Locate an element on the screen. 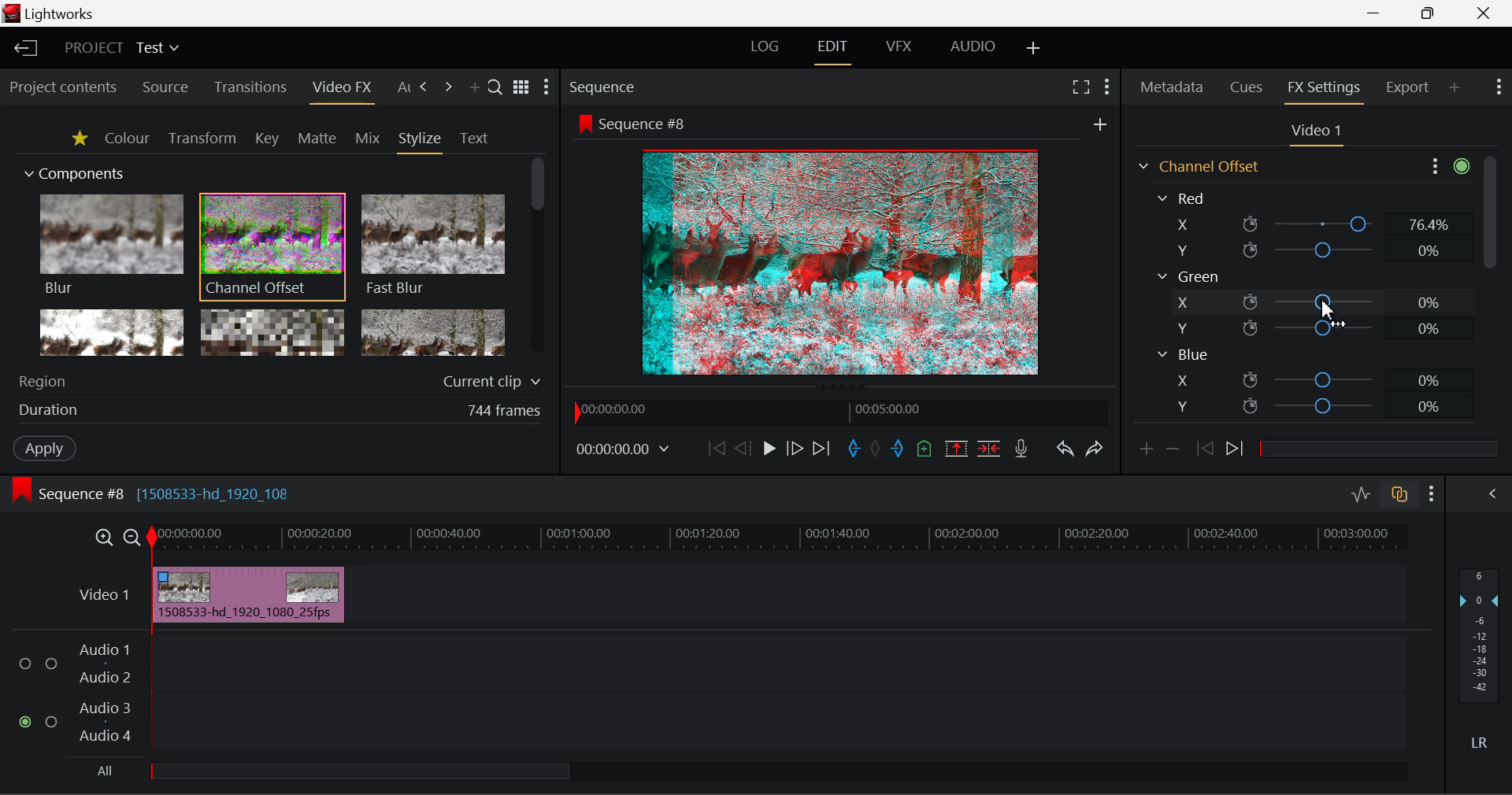  VFX Layout is located at coordinates (899, 50).